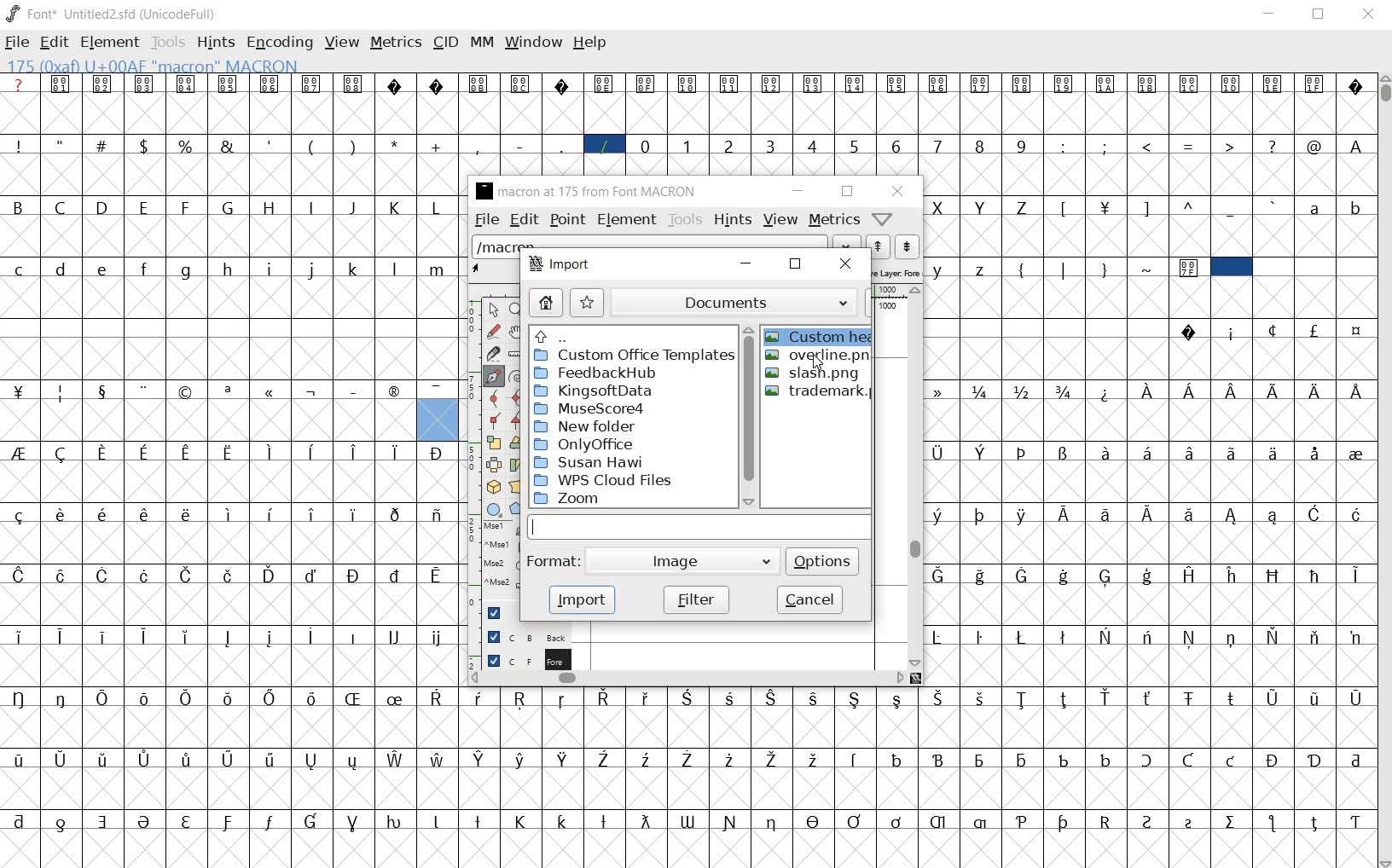 The height and width of the screenshot is (868, 1392). What do you see at coordinates (1356, 697) in the screenshot?
I see `Symbol` at bounding box center [1356, 697].